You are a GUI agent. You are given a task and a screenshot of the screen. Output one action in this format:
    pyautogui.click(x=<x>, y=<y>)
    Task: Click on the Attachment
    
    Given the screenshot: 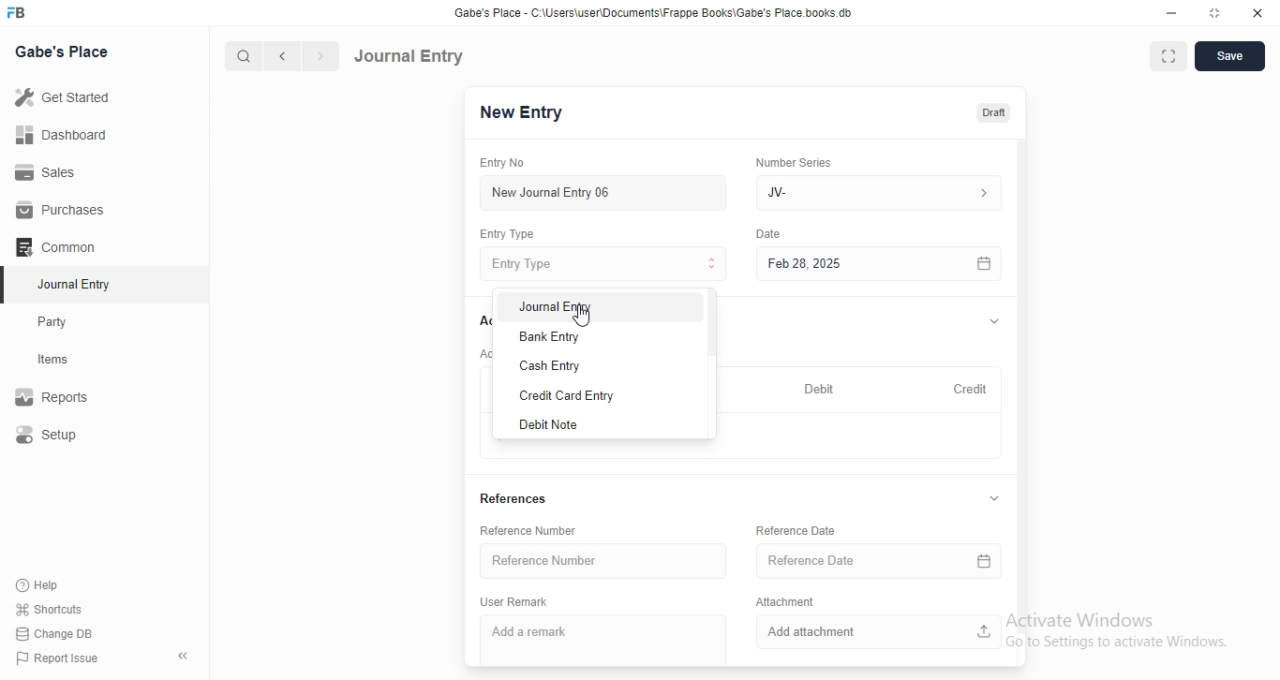 What is the action you would take?
    pyautogui.click(x=794, y=601)
    